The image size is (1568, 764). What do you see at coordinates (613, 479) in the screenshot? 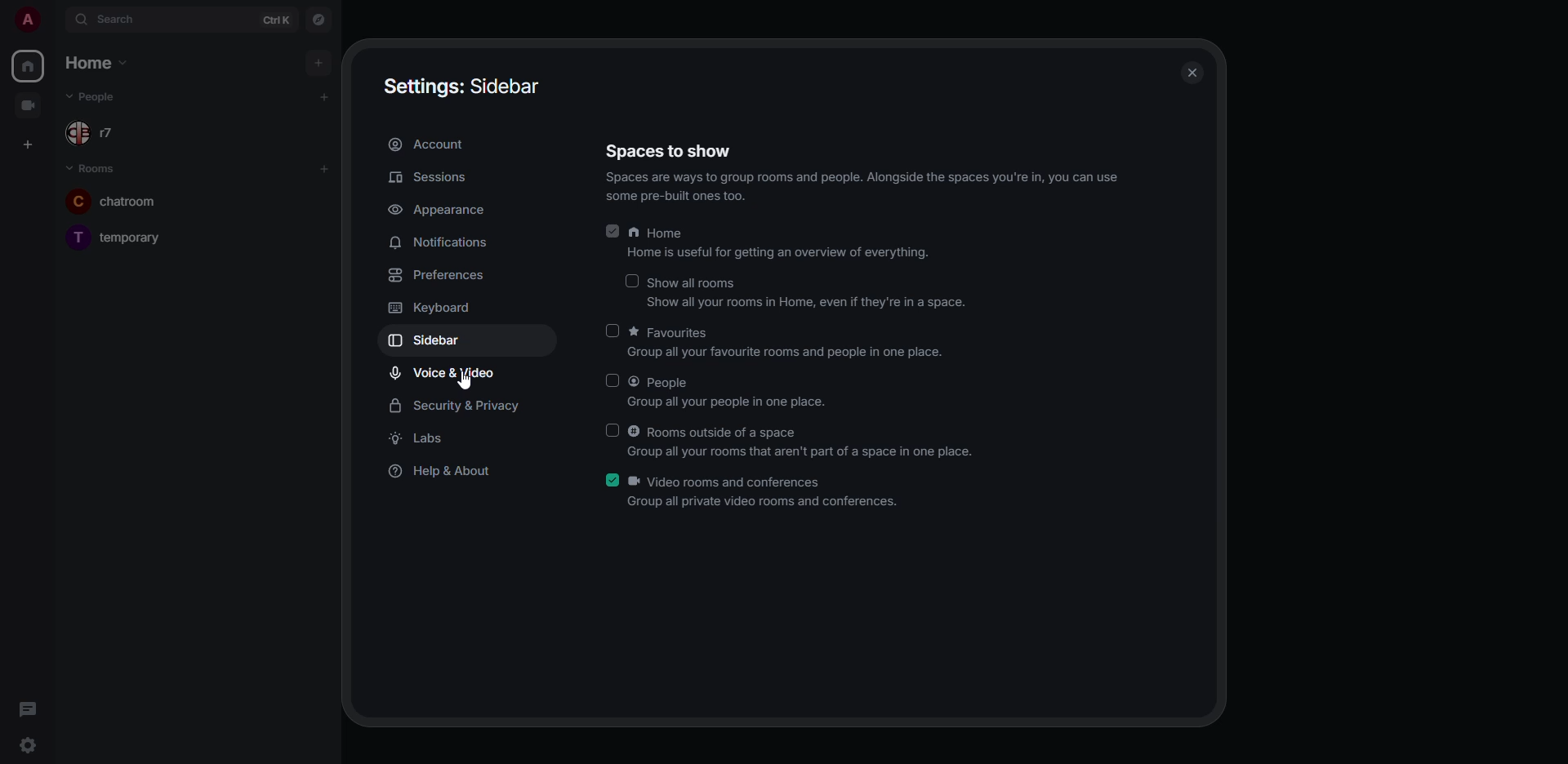
I see `enabled` at bounding box center [613, 479].